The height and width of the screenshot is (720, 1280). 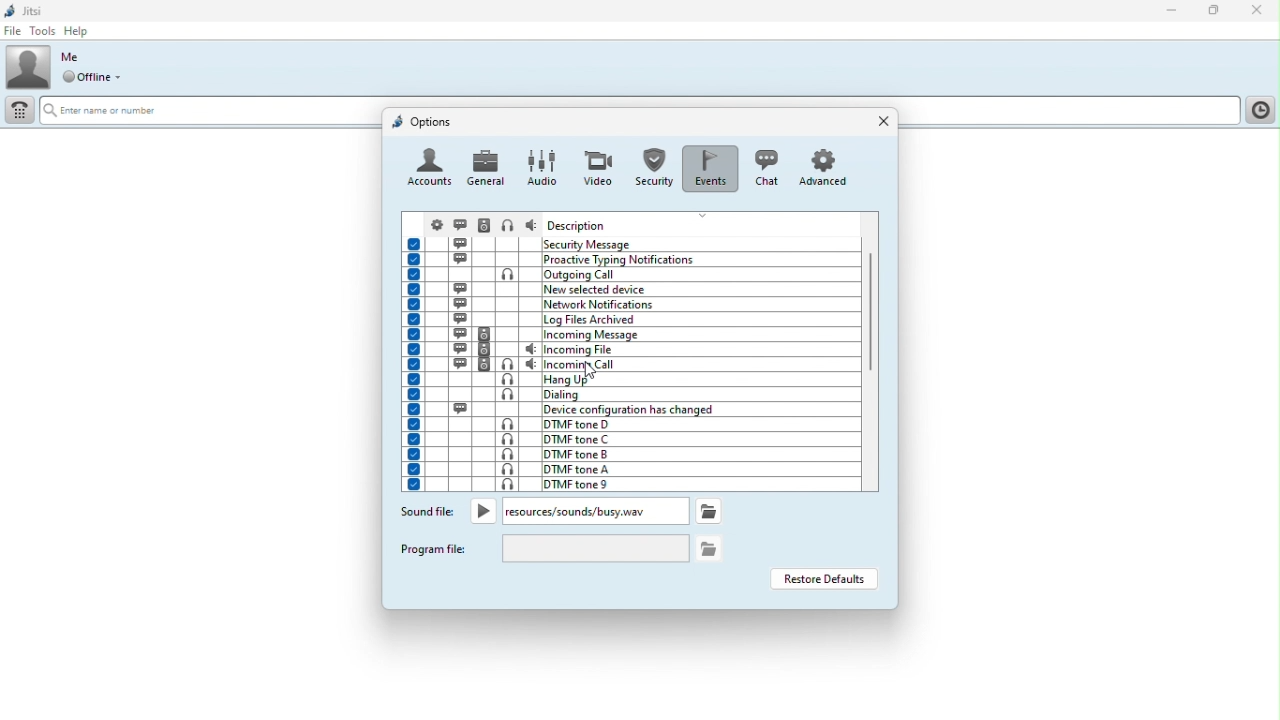 What do you see at coordinates (628, 396) in the screenshot?
I see `dialing ` at bounding box center [628, 396].